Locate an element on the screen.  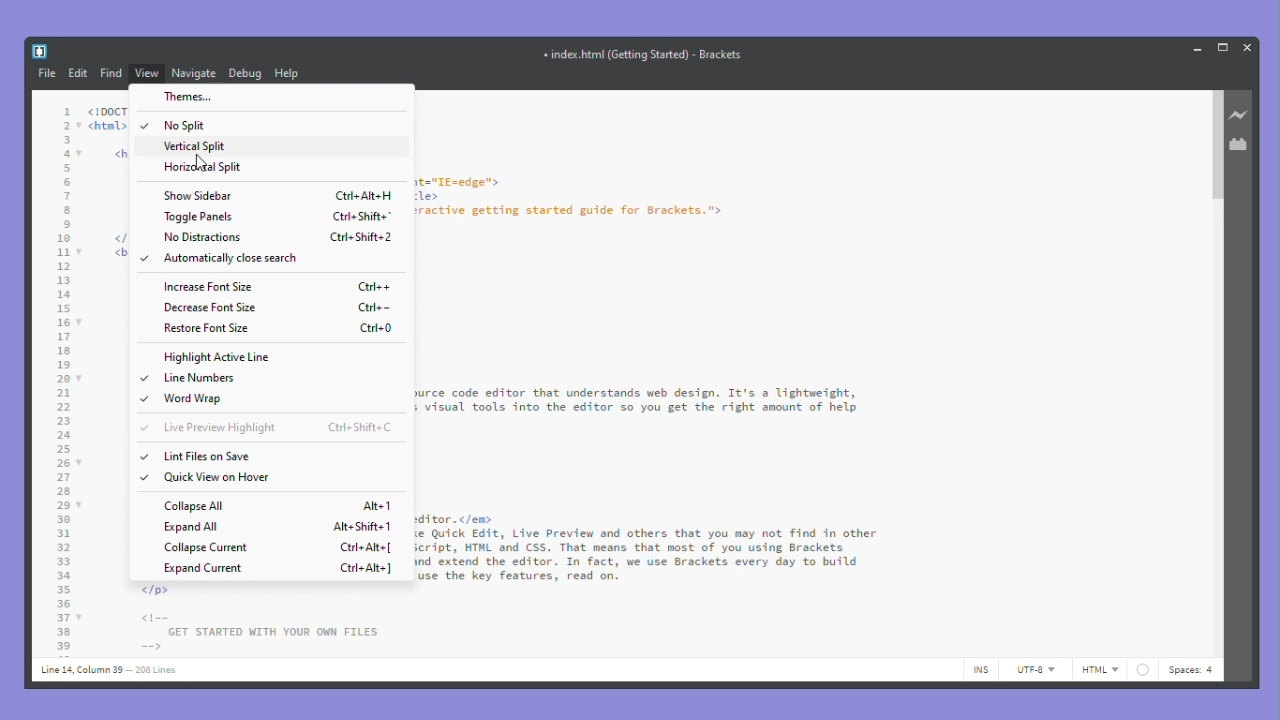
show sidebar is located at coordinates (276, 194).